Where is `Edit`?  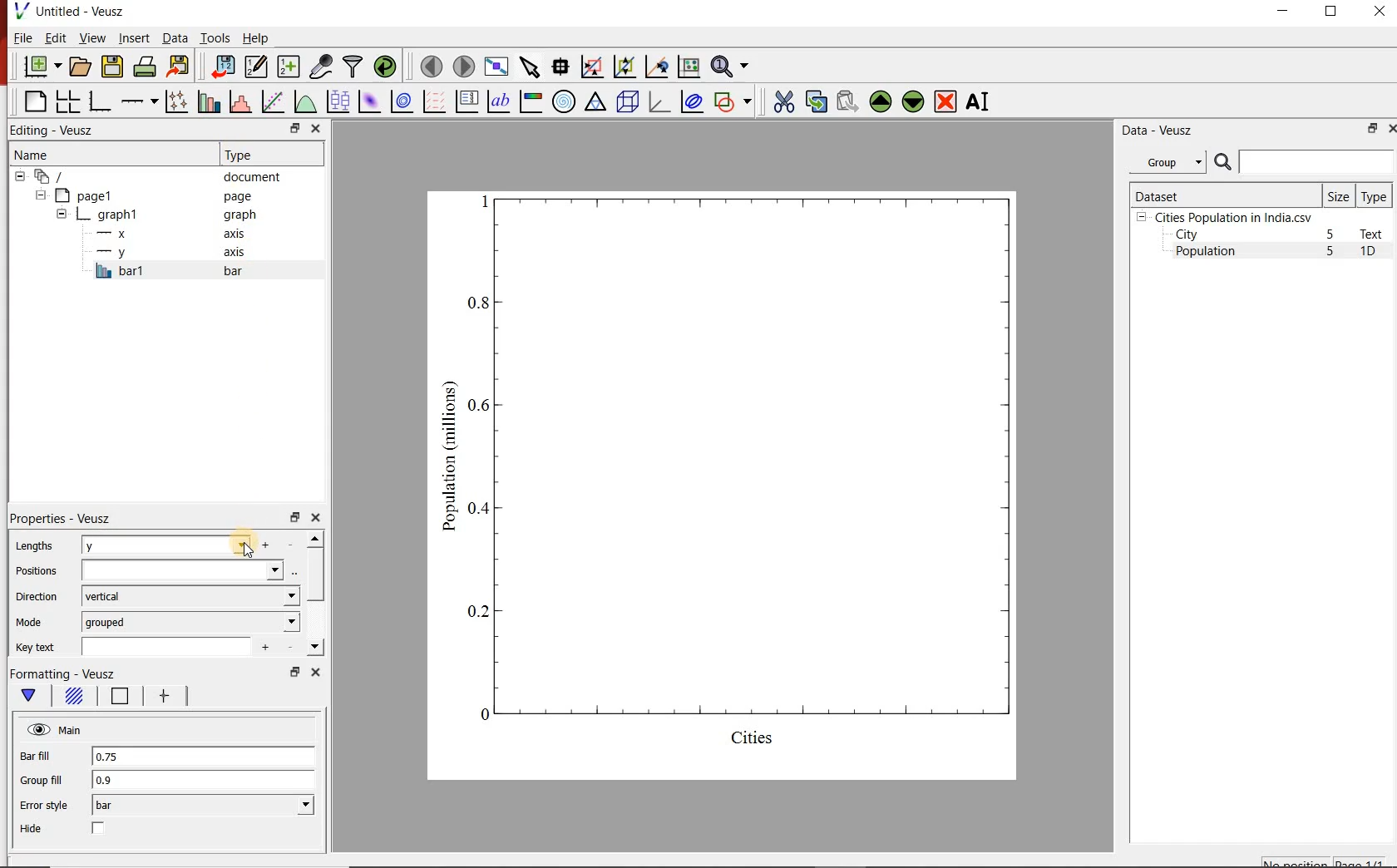 Edit is located at coordinates (54, 38).